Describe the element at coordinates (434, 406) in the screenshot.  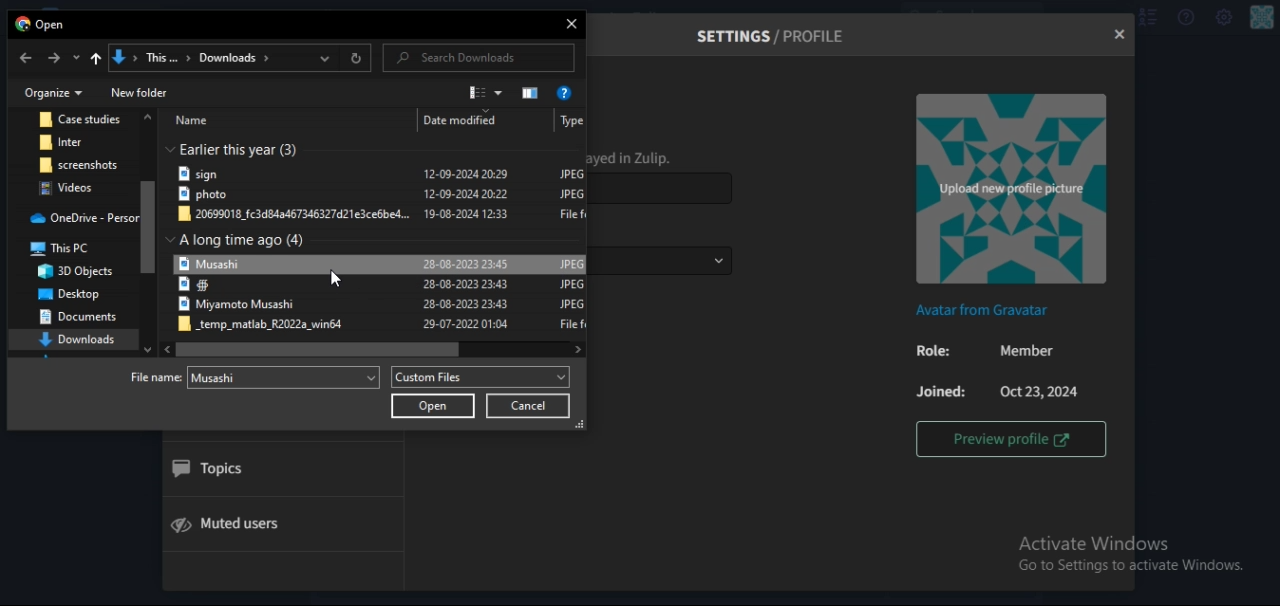
I see `open` at that location.